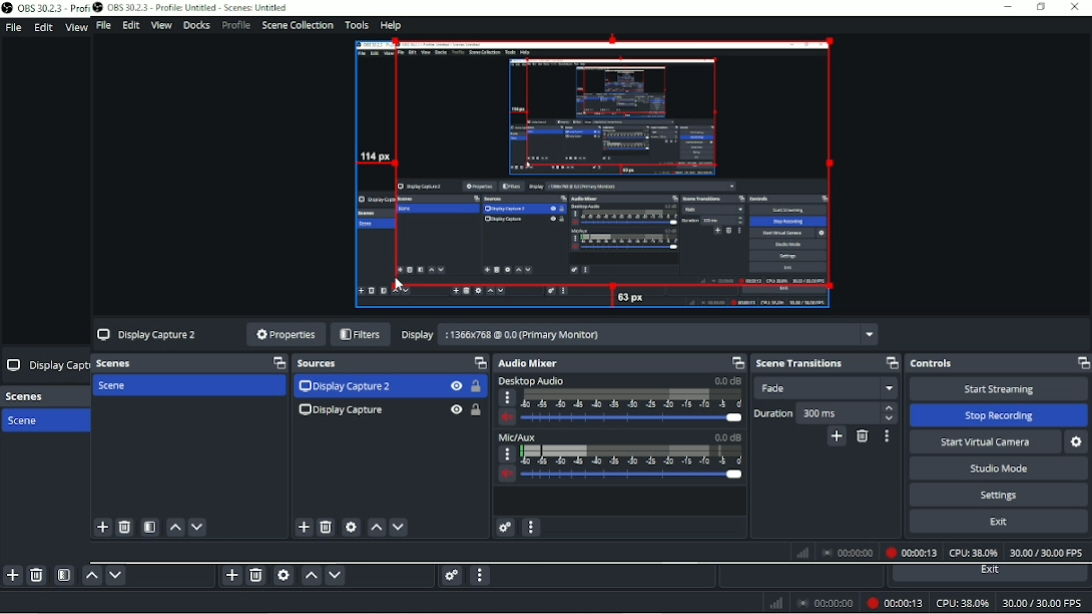 The width and height of the screenshot is (1092, 614). I want to click on Tools, so click(357, 24).